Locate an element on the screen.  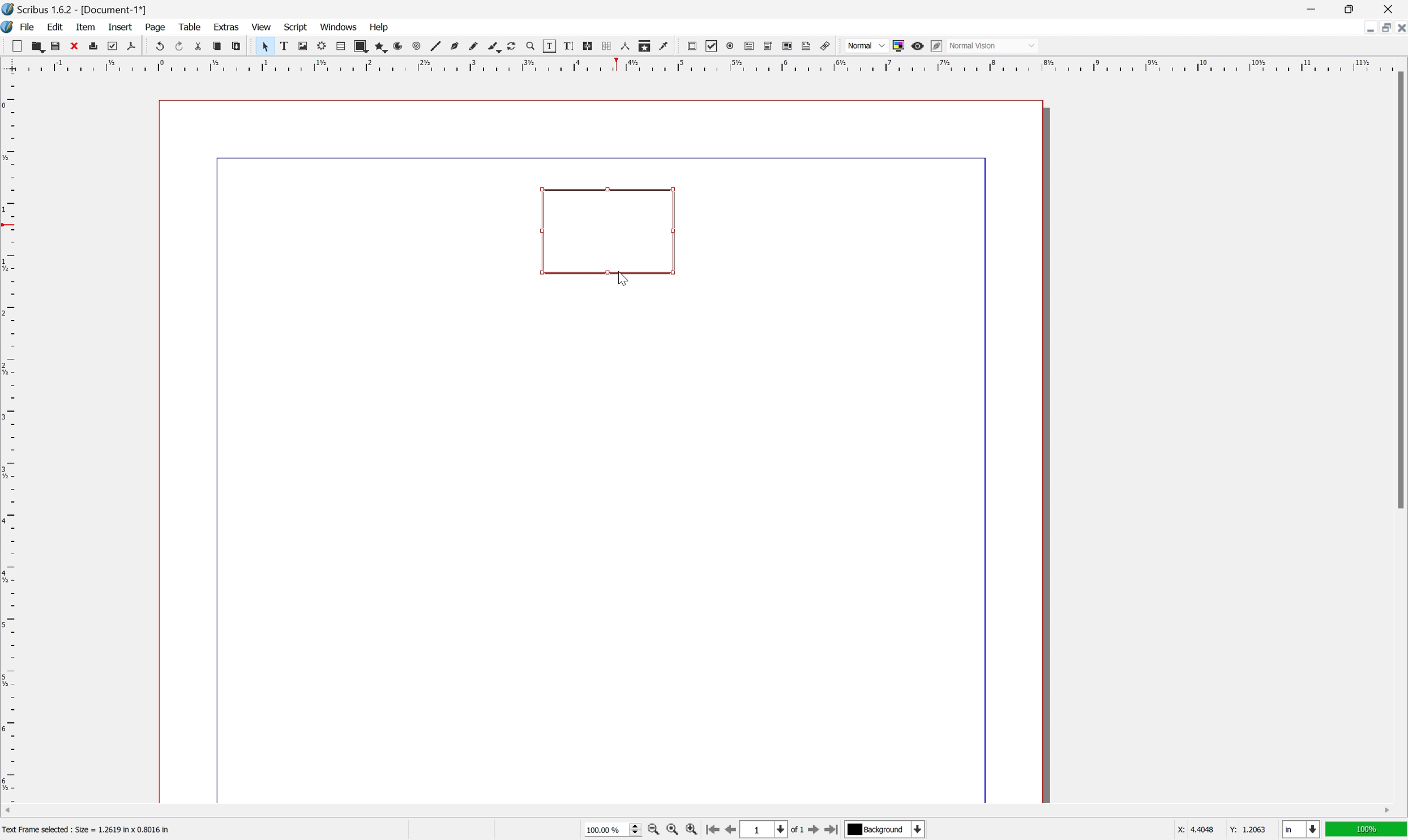
calligraphy line is located at coordinates (493, 46).